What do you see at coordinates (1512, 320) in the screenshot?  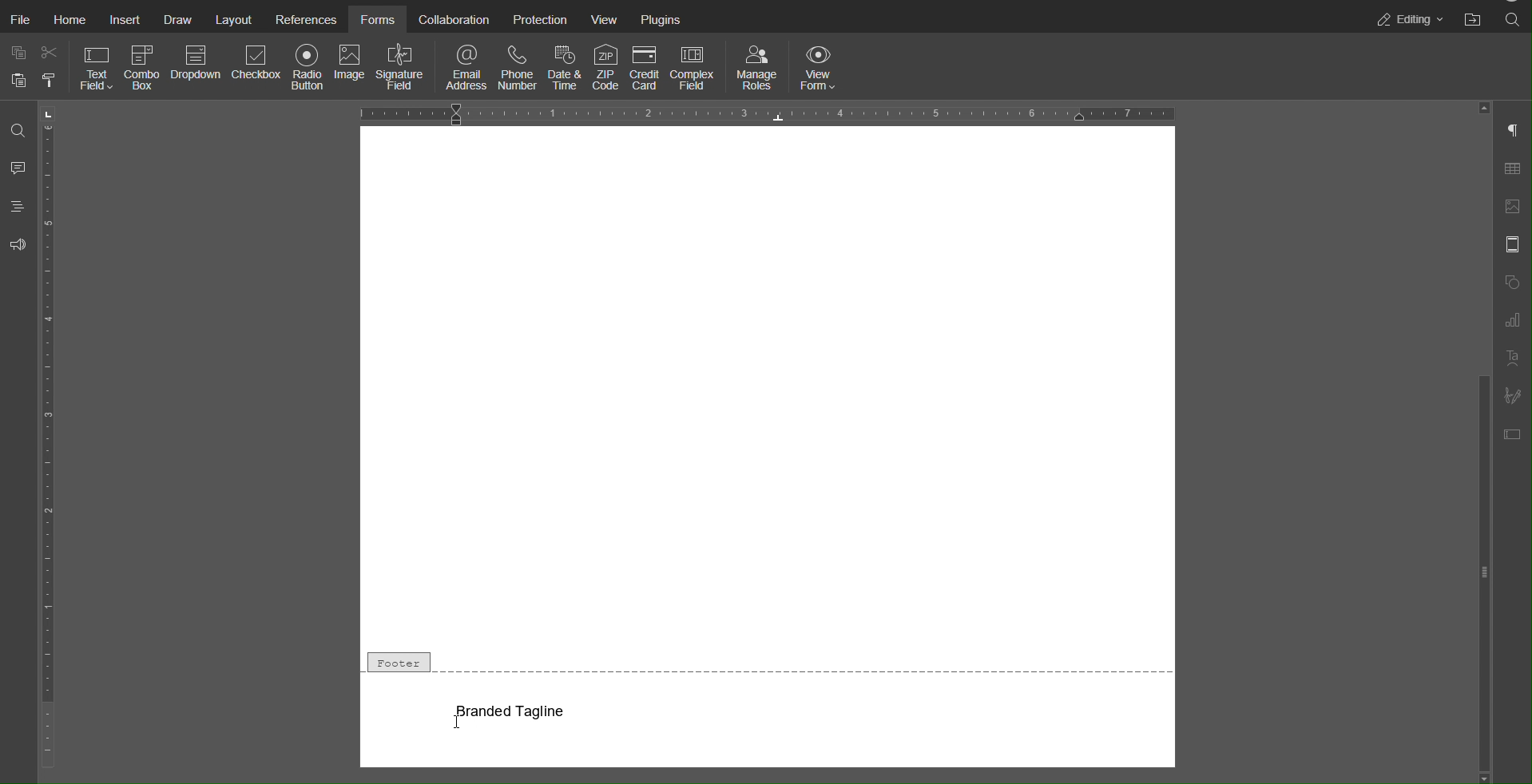 I see `Graph Settings` at bounding box center [1512, 320].